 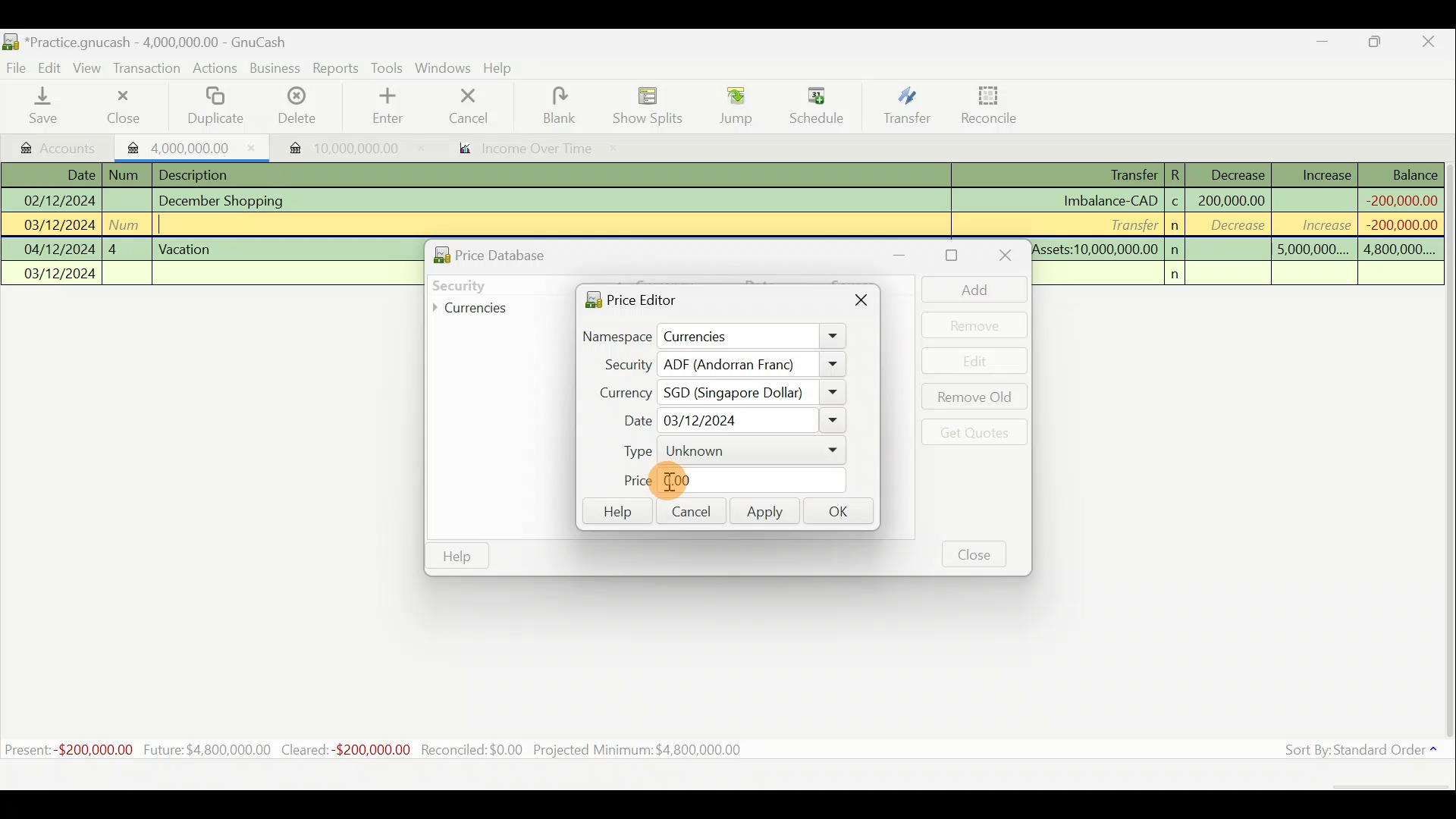 I want to click on Save, so click(x=46, y=107).